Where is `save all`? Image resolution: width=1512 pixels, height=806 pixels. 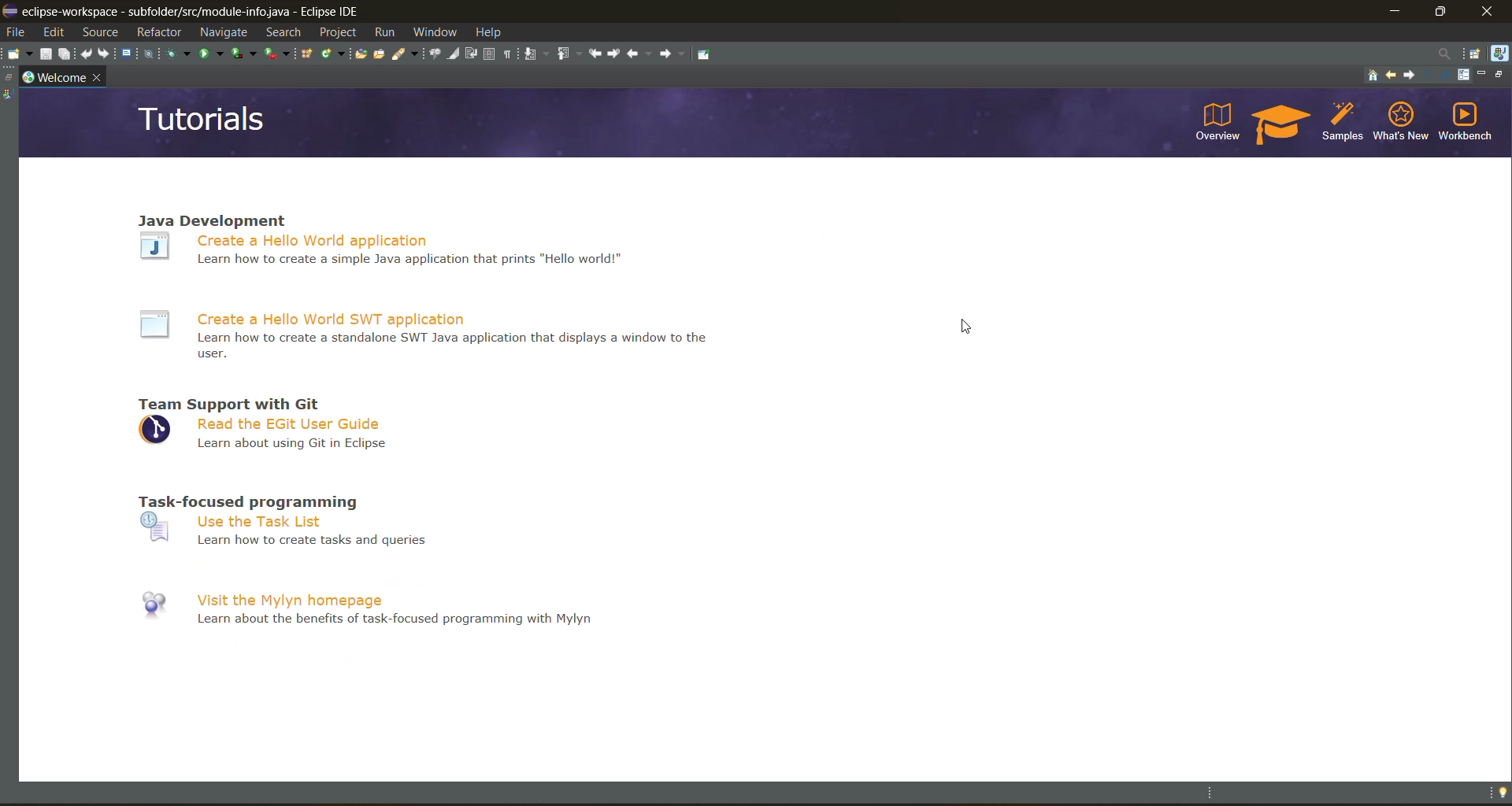
save all is located at coordinates (66, 54).